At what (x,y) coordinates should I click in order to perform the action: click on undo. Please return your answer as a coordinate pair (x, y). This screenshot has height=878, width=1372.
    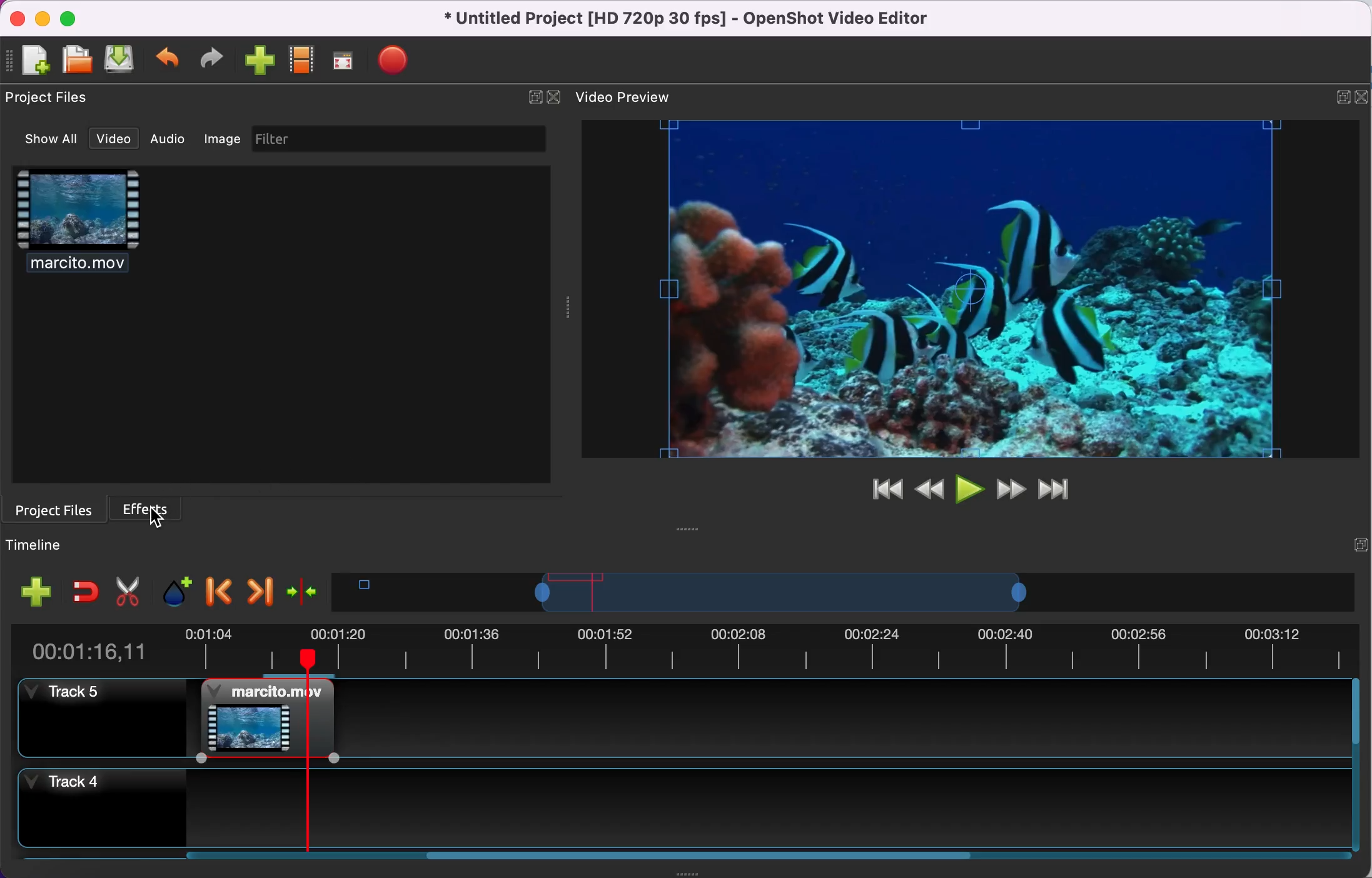
    Looking at the image, I should click on (169, 59).